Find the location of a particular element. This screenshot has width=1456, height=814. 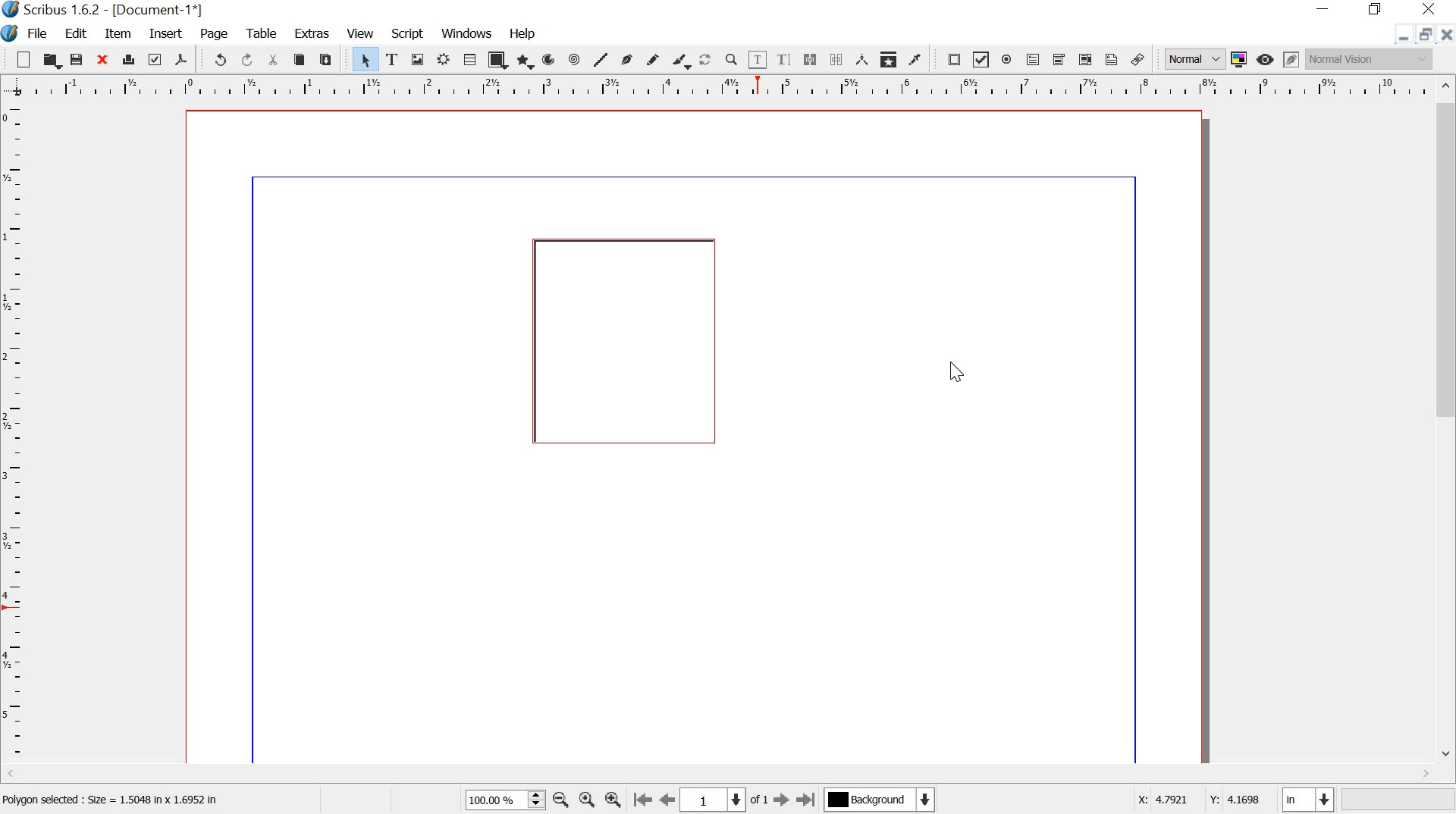

rotate item is located at coordinates (706, 61).